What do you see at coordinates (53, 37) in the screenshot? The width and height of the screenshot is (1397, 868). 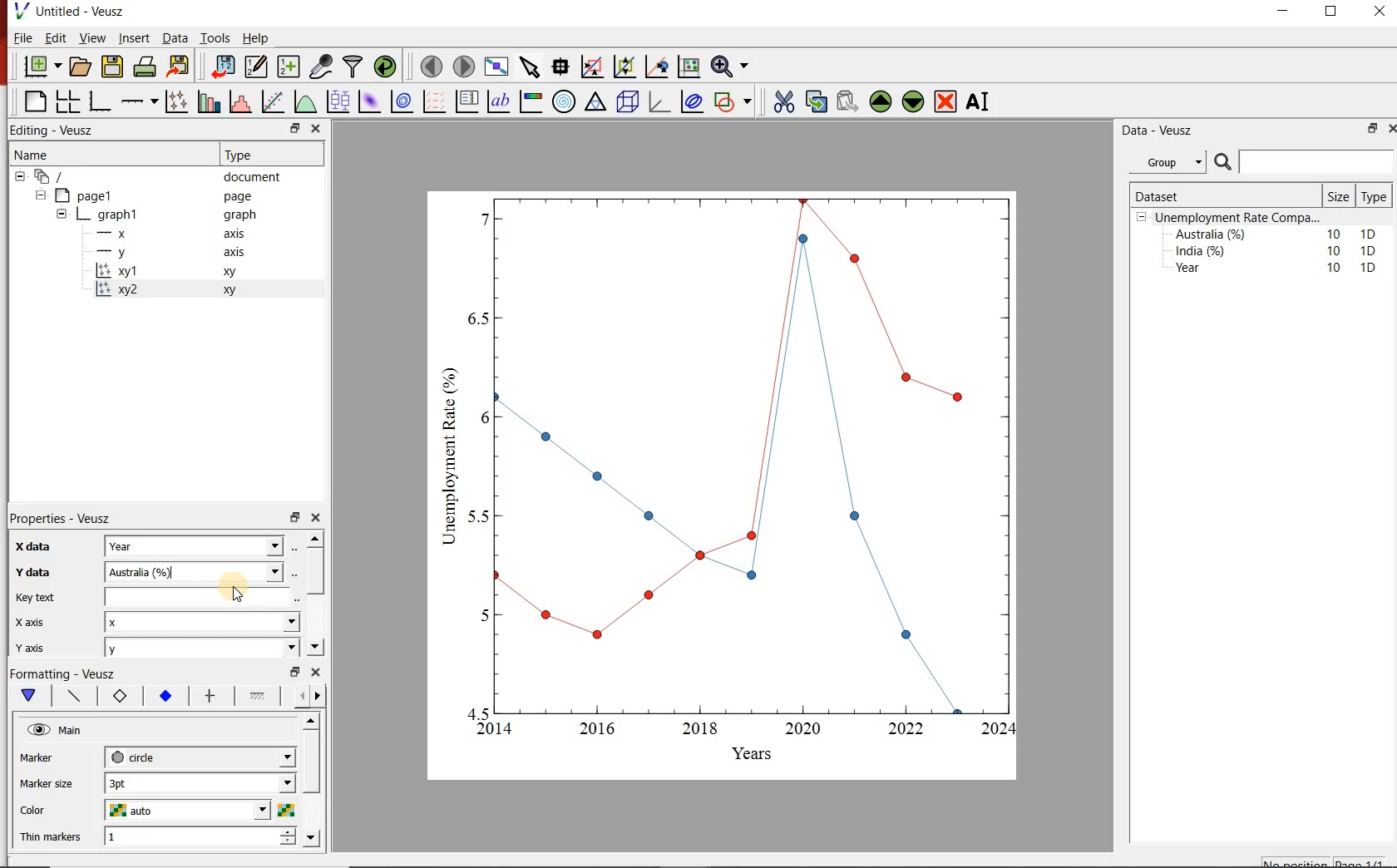 I see `Edit` at bounding box center [53, 37].